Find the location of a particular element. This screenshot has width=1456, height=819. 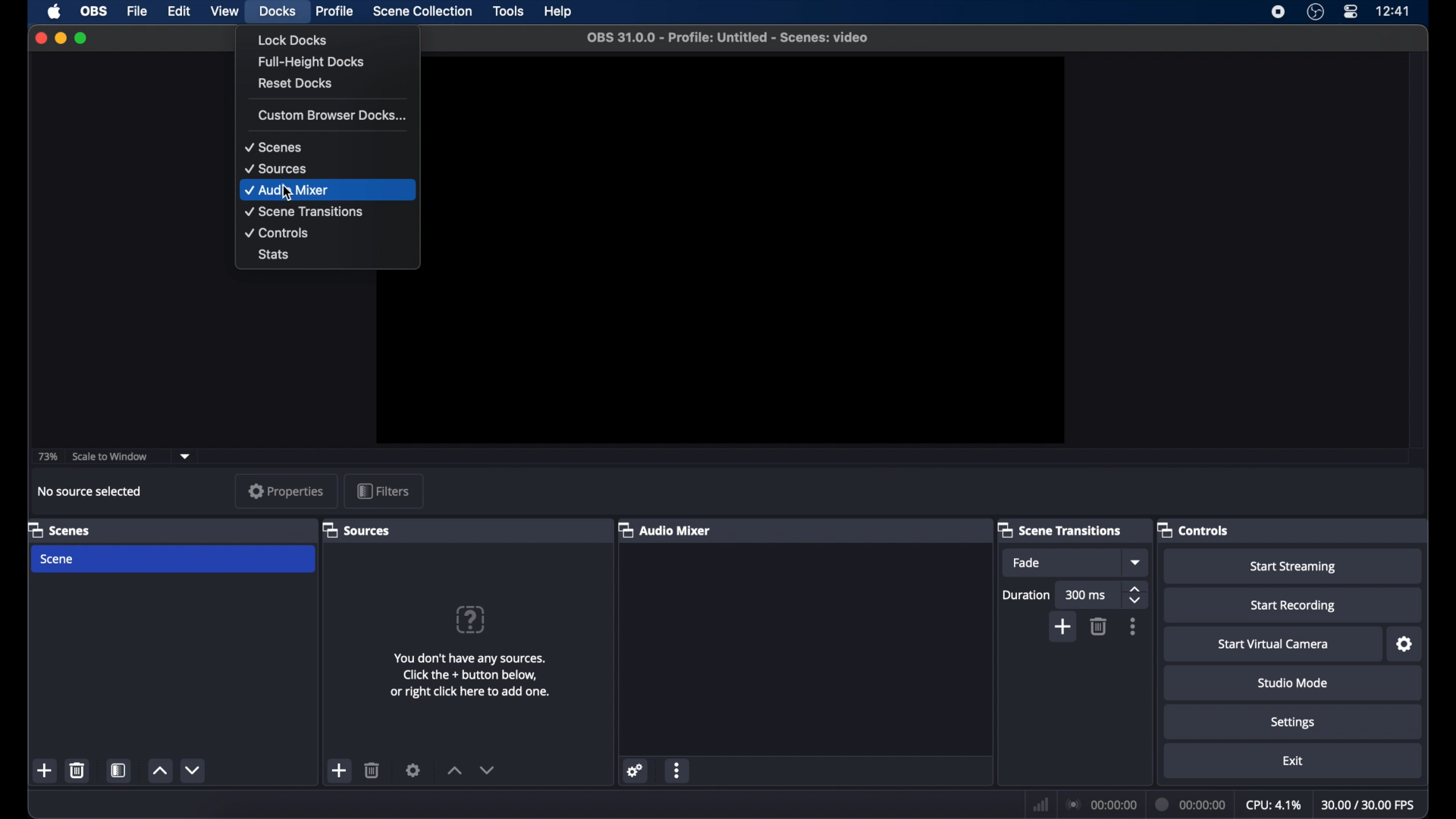

add is located at coordinates (340, 771).